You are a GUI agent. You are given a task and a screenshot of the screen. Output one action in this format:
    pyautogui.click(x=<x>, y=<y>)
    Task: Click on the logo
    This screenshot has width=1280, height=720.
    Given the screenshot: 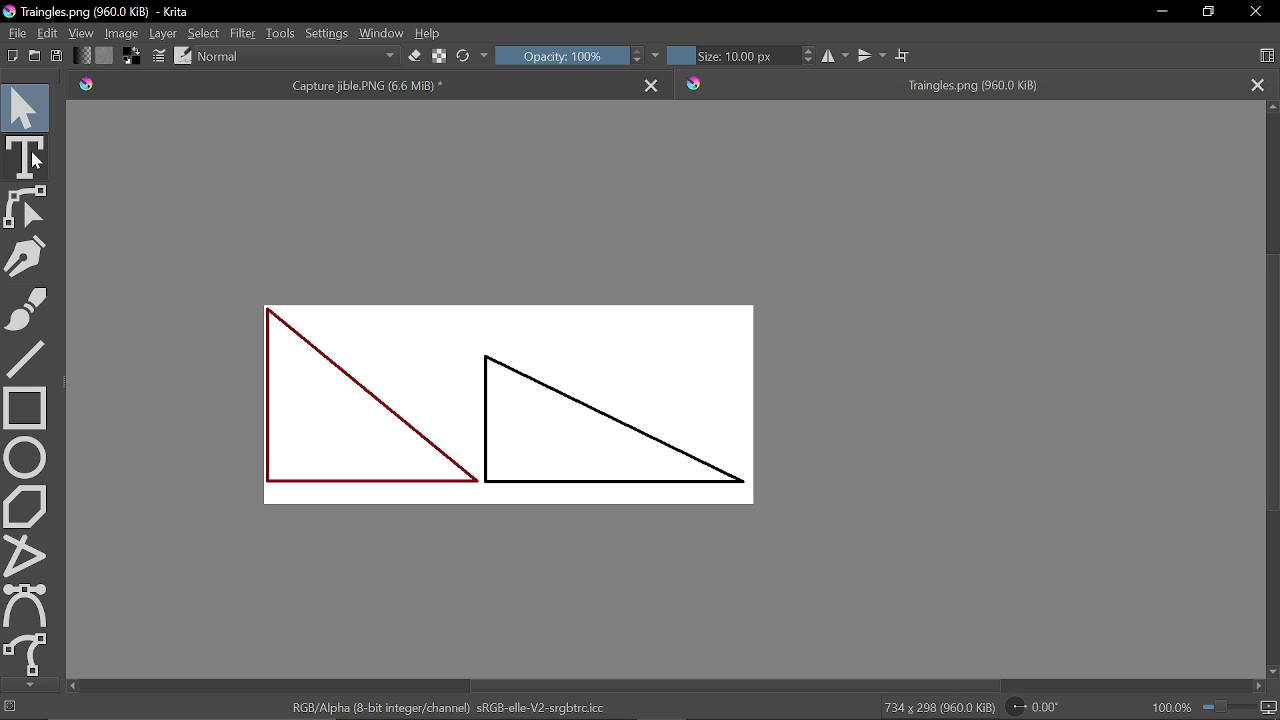 What is the action you would take?
    pyautogui.click(x=8, y=12)
    